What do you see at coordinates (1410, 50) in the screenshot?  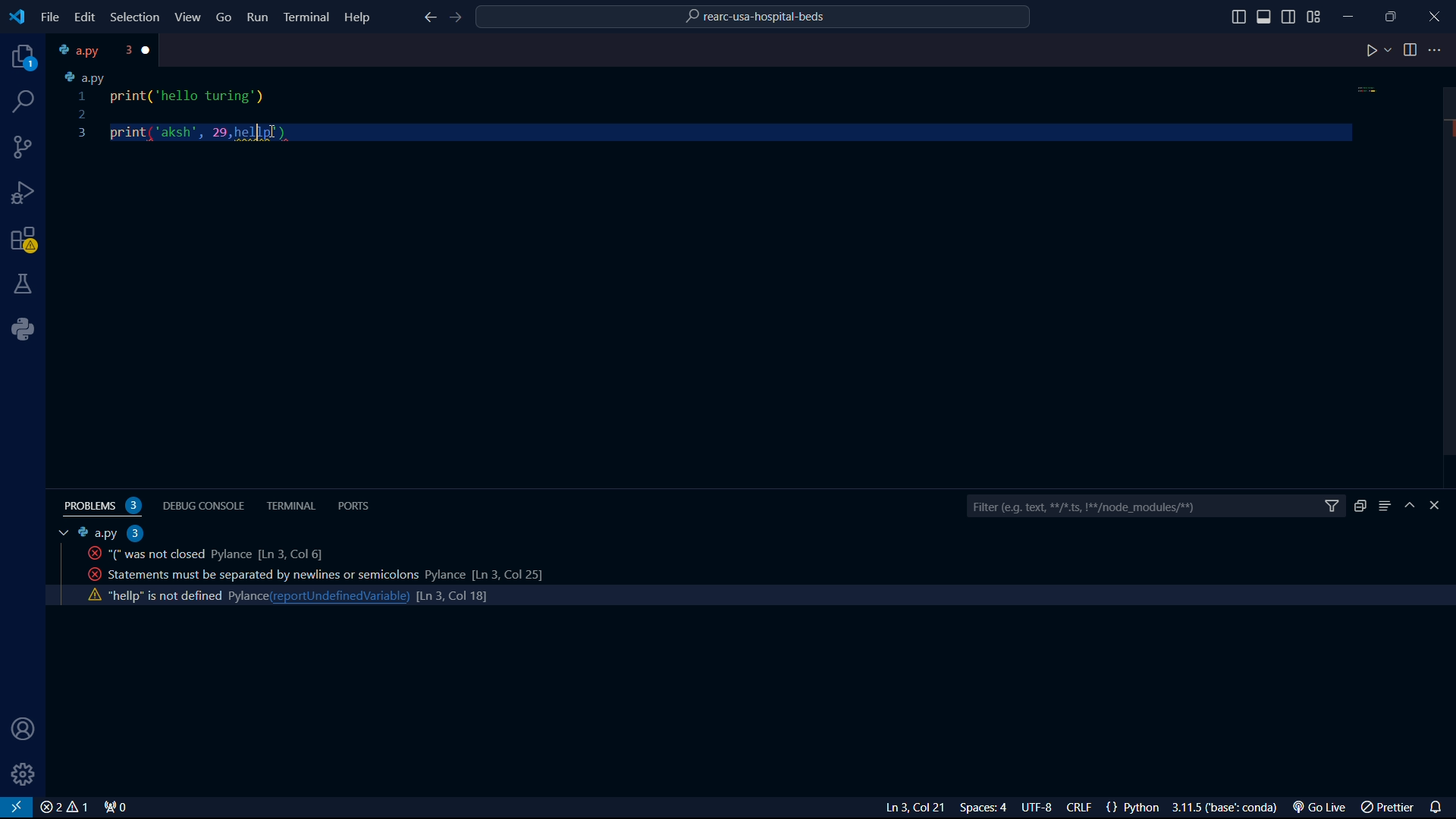 I see `toggle` at bounding box center [1410, 50].